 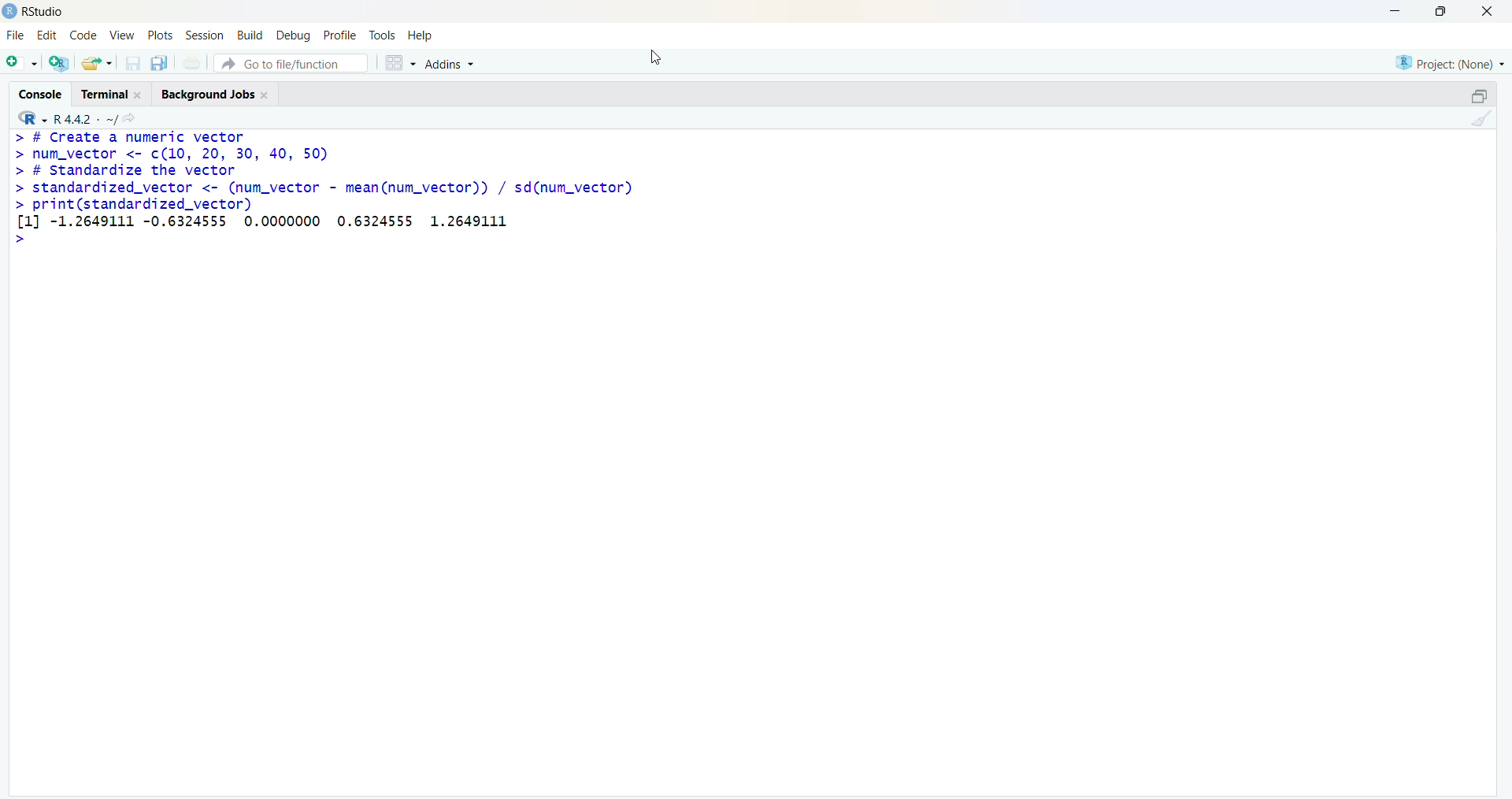 What do you see at coordinates (45, 13) in the screenshot?
I see `RStudio` at bounding box center [45, 13].